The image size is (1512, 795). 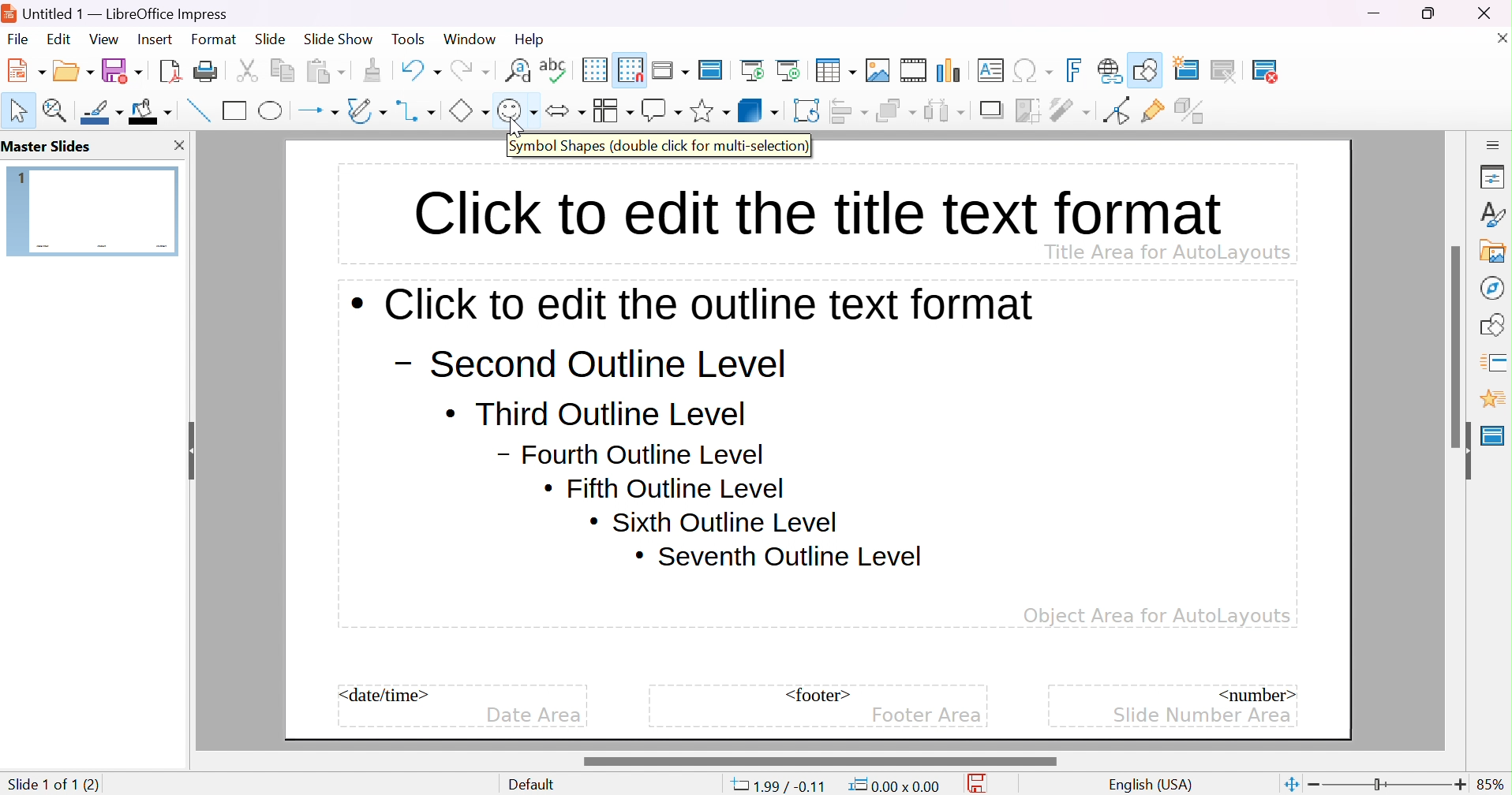 I want to click on master slide, so click(x=713, y=69).